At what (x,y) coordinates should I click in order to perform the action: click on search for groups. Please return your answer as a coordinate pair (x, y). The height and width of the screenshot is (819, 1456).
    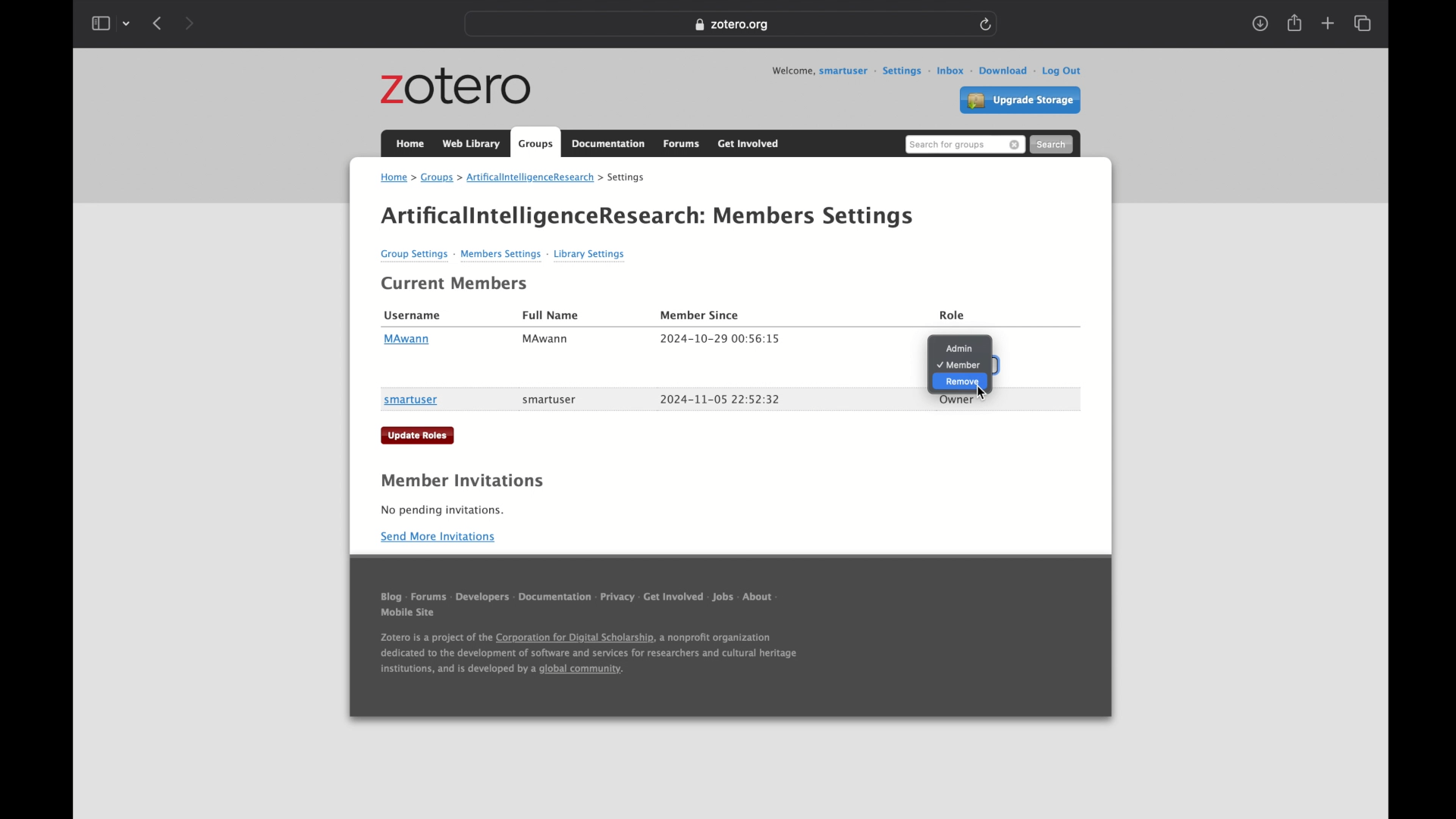
    Looking at the image, I should click on (947, 146).